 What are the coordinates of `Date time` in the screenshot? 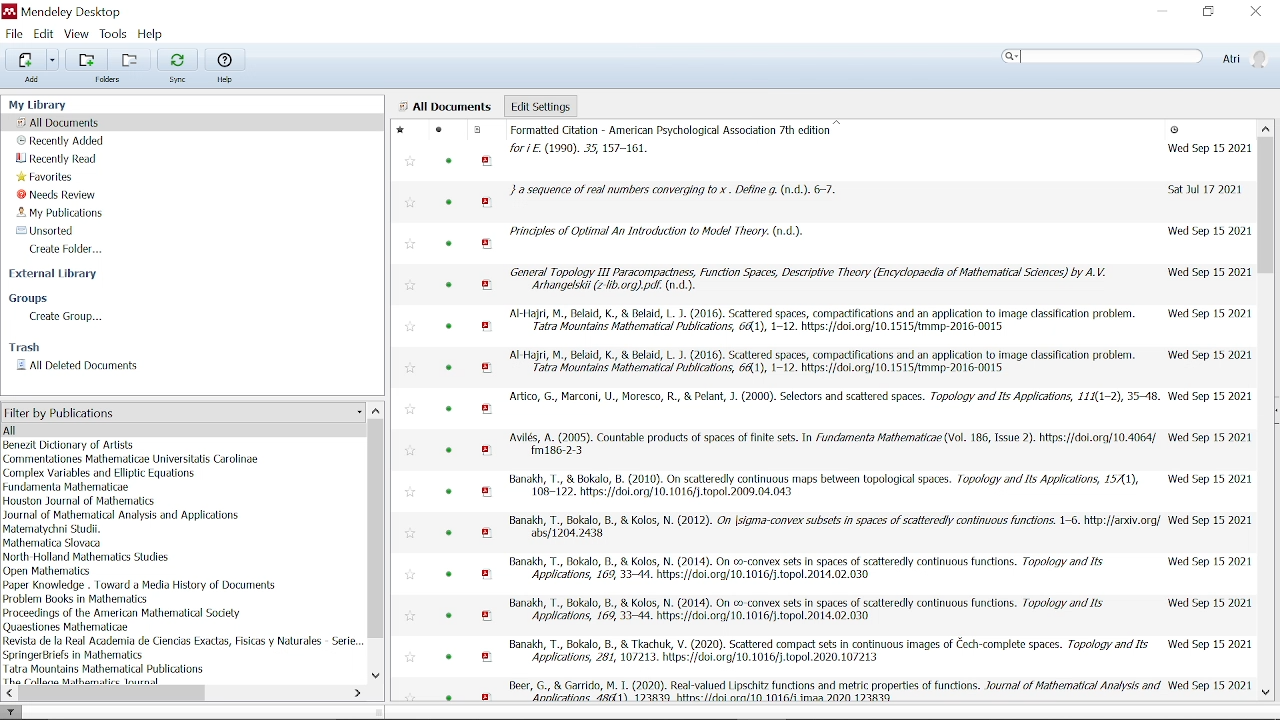 It's located at (1208, 313).